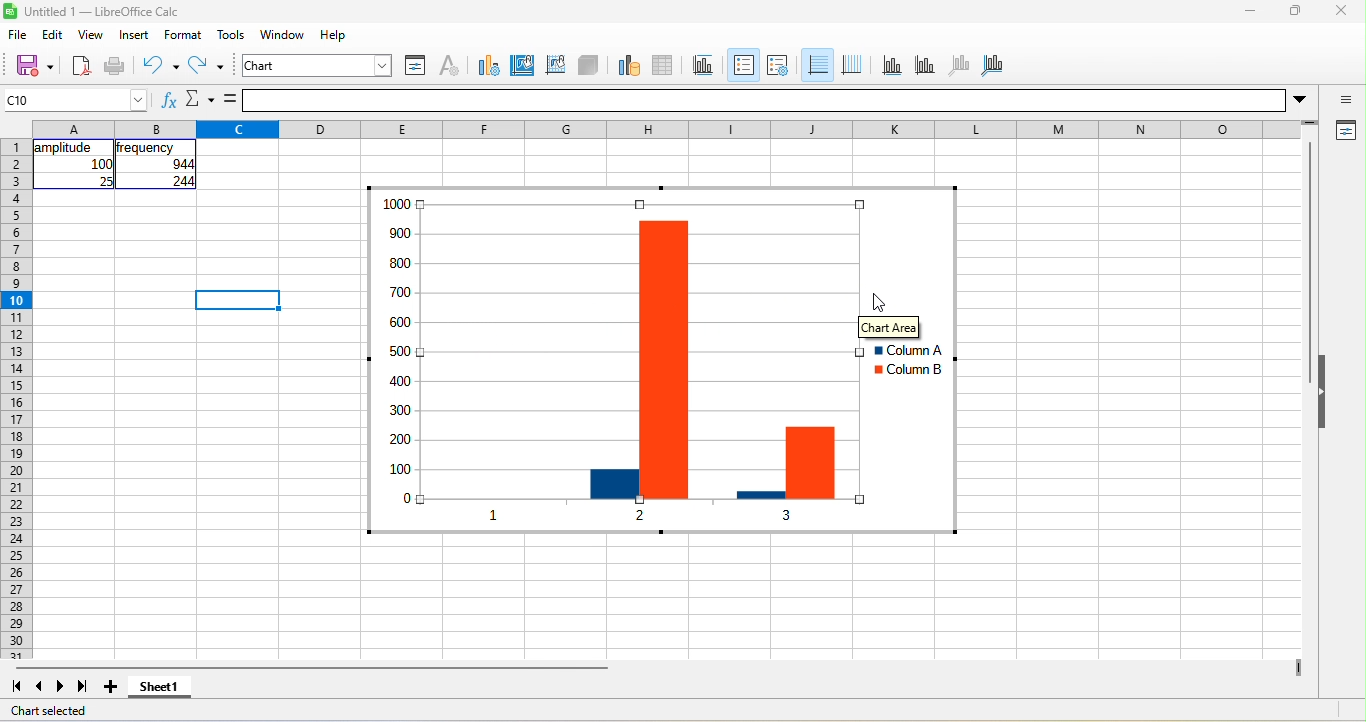 This screenshot has height=722, width=1366. What do you see at coordinates (903, 351) in the screenshot?
I see `column a` at bounding box center [903, 351].